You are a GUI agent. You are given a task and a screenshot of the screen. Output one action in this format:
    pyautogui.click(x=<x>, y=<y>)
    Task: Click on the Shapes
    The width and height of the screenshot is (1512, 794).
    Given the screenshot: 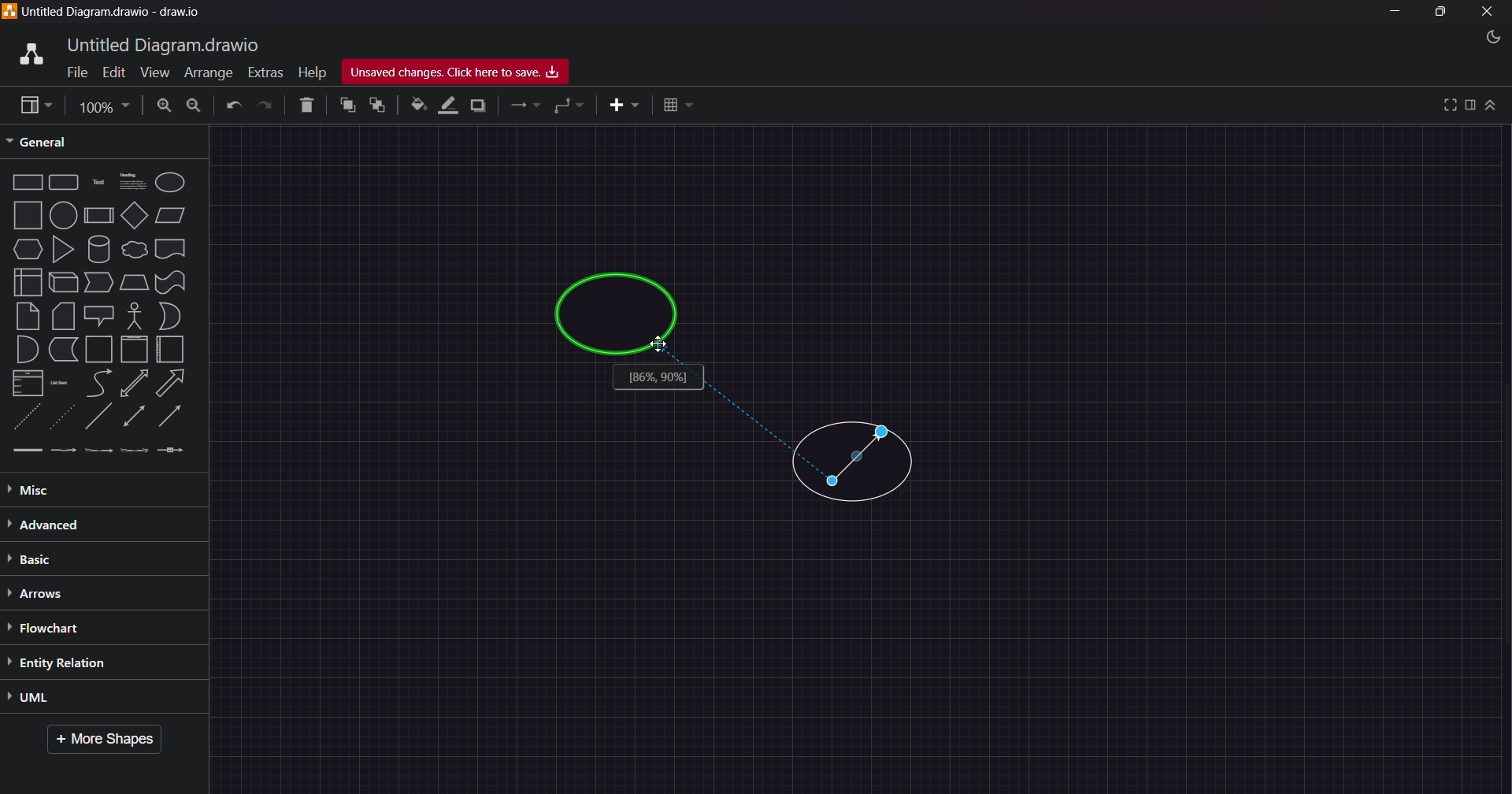 What is the action you would take?
    pyautogui.click(x=100, y=315)
    